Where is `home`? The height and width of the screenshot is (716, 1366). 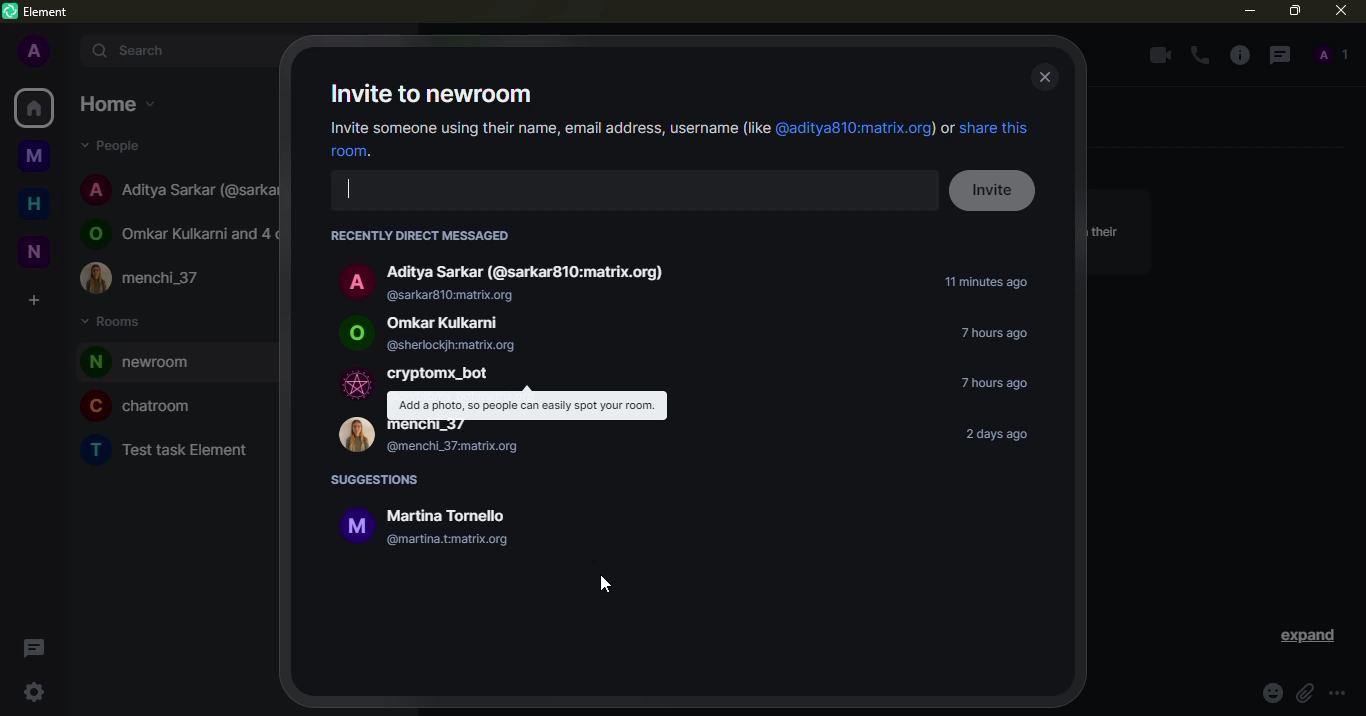
home is located at coordinates (34, 107).